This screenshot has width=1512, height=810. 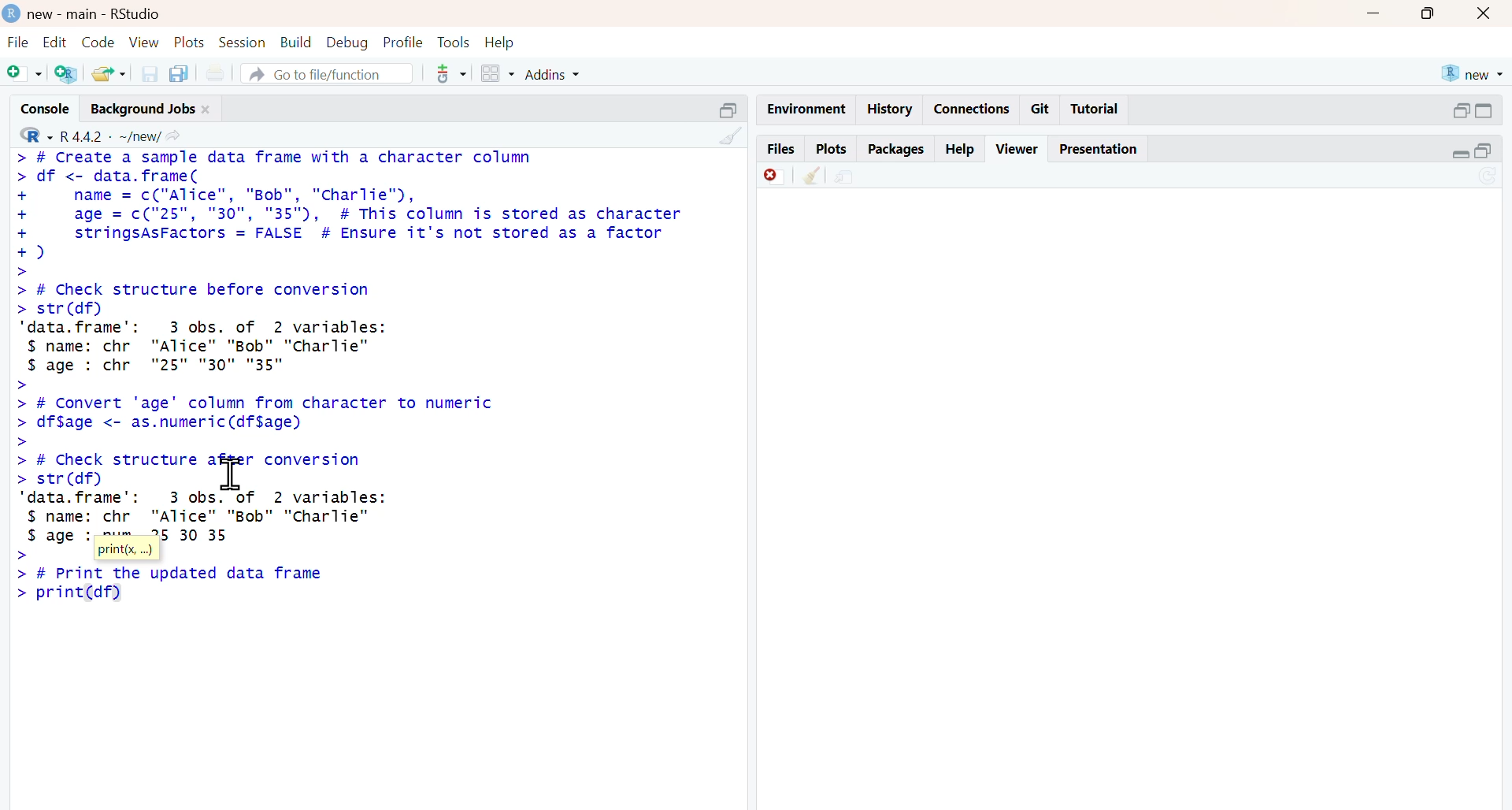 I want to click on plots, so click(x=189, y=43).